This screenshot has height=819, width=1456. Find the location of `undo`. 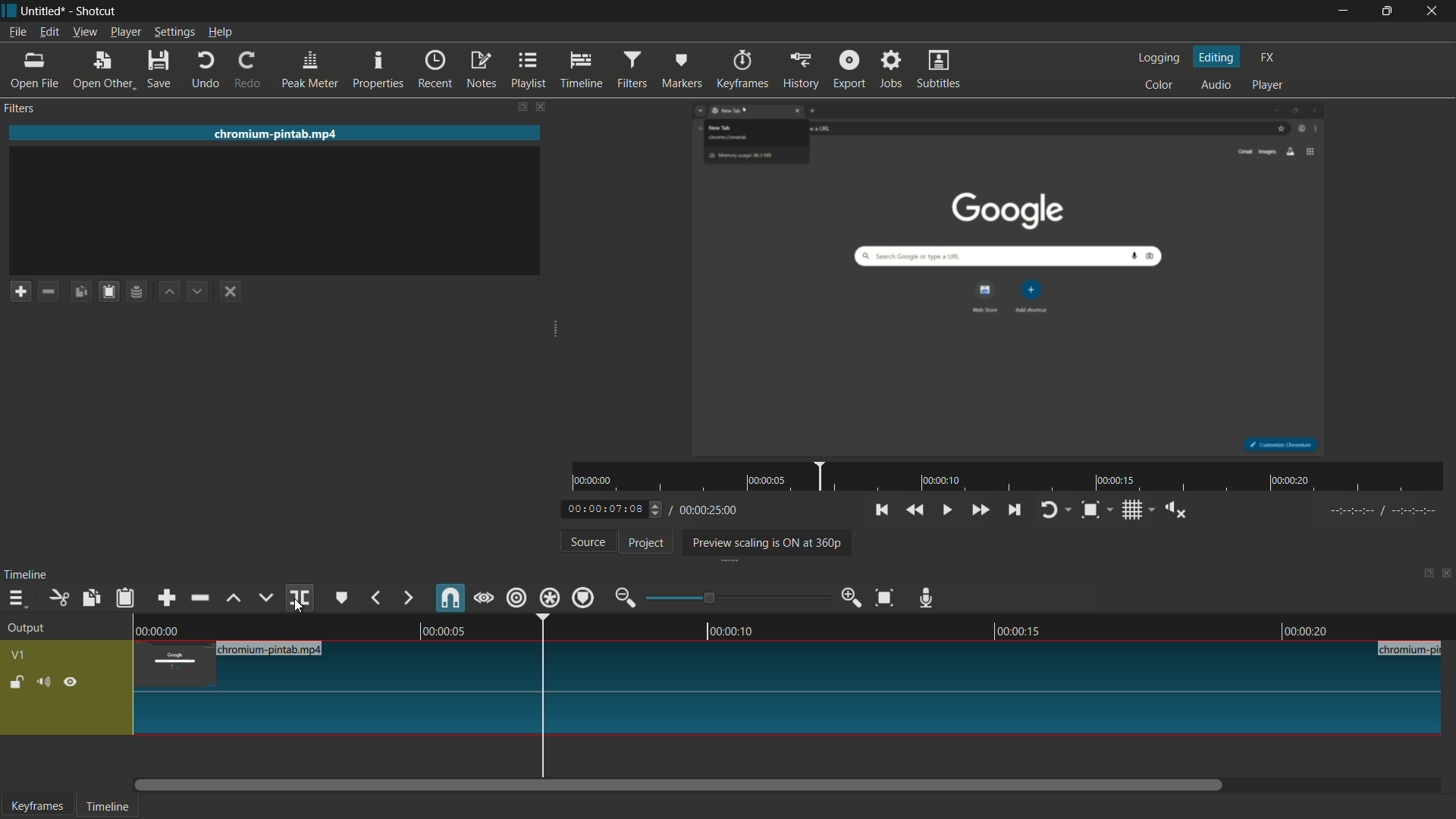

undo is located at coordinates (206, 71).